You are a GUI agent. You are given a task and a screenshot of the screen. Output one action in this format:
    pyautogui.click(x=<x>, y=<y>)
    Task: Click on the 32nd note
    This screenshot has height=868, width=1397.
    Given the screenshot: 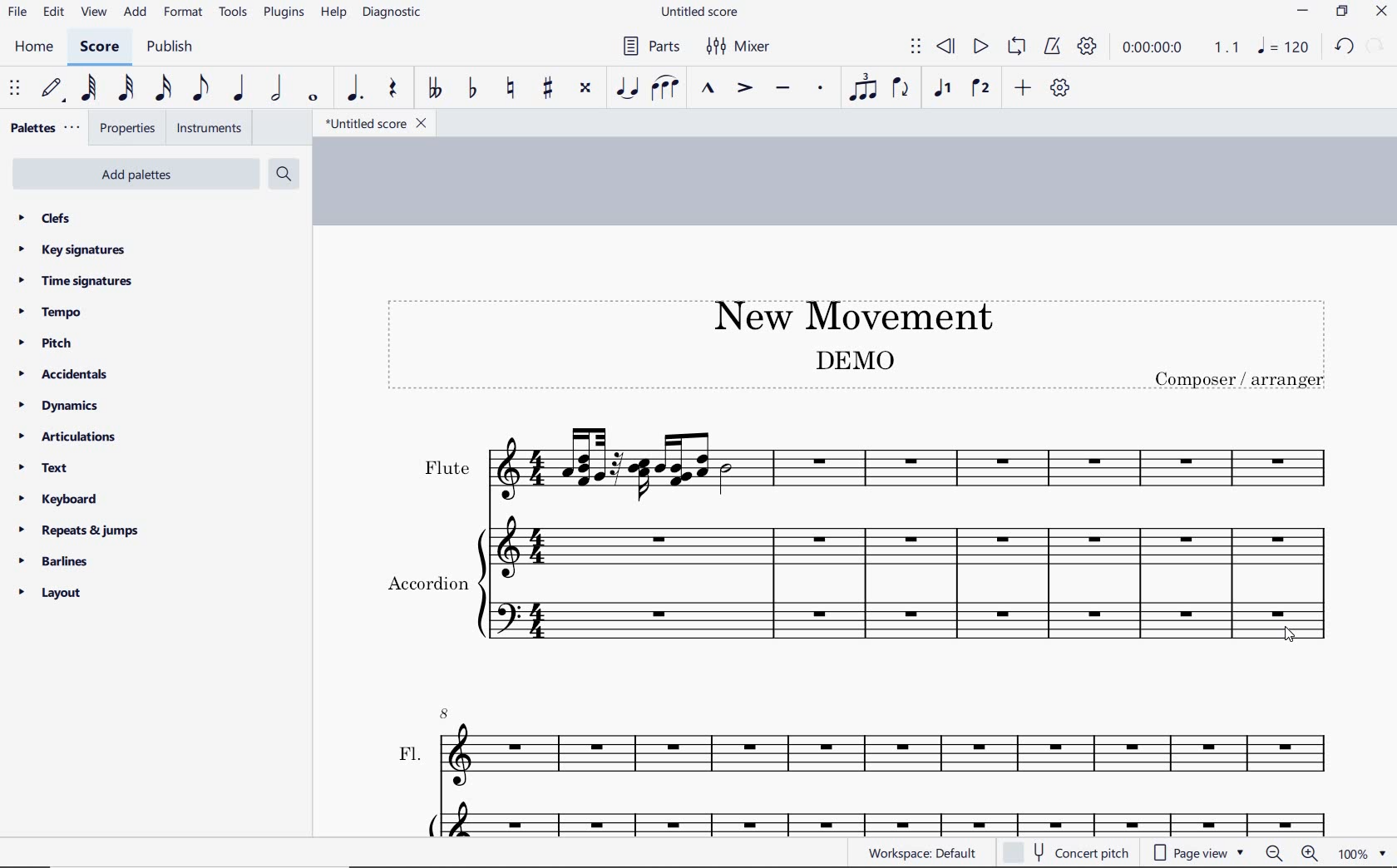 What is the action you would take?
    pyautogui.click(x=125, y=89)
    